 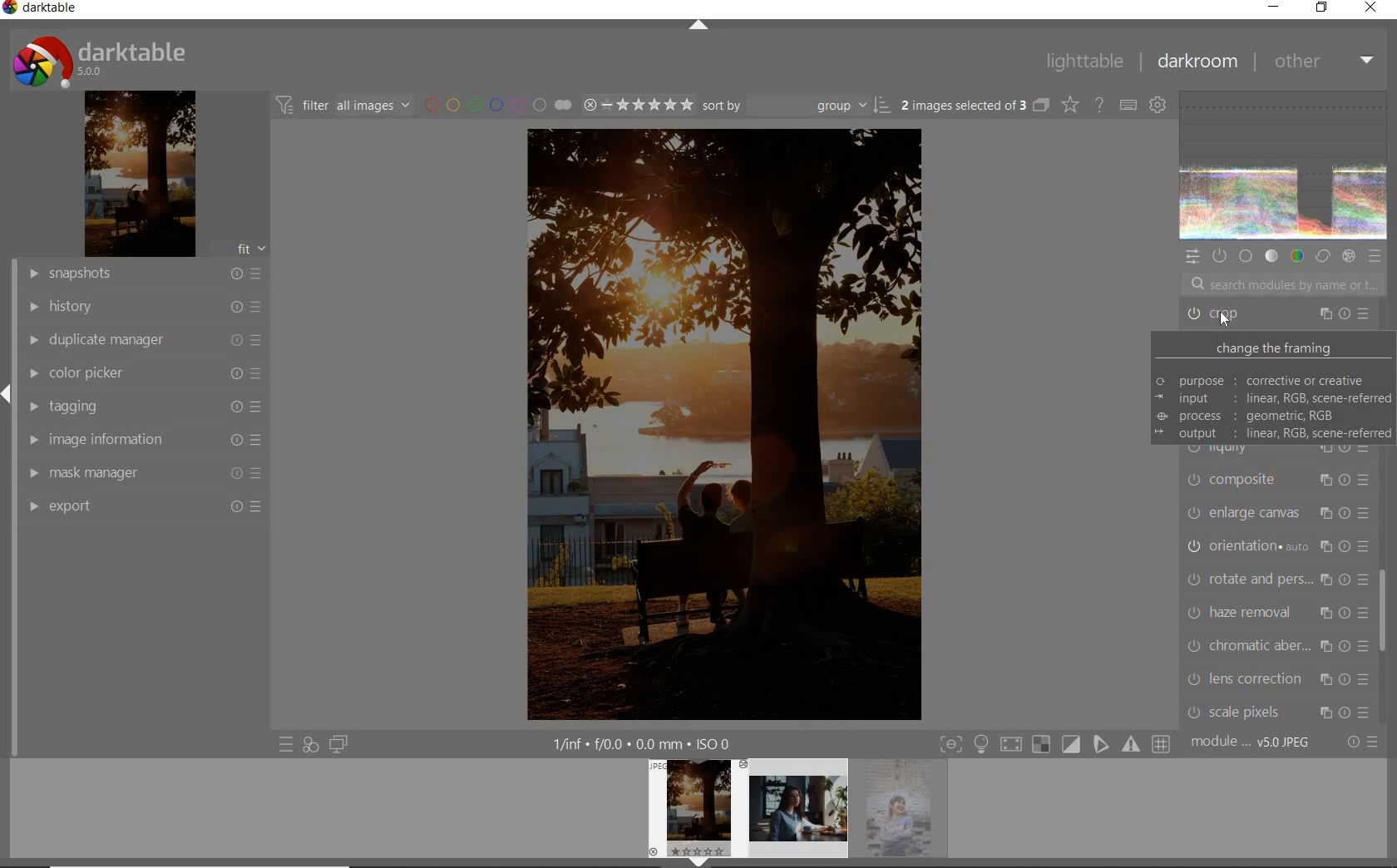 I want to click on display a second darkroom image window, so click(x=338, y=746).